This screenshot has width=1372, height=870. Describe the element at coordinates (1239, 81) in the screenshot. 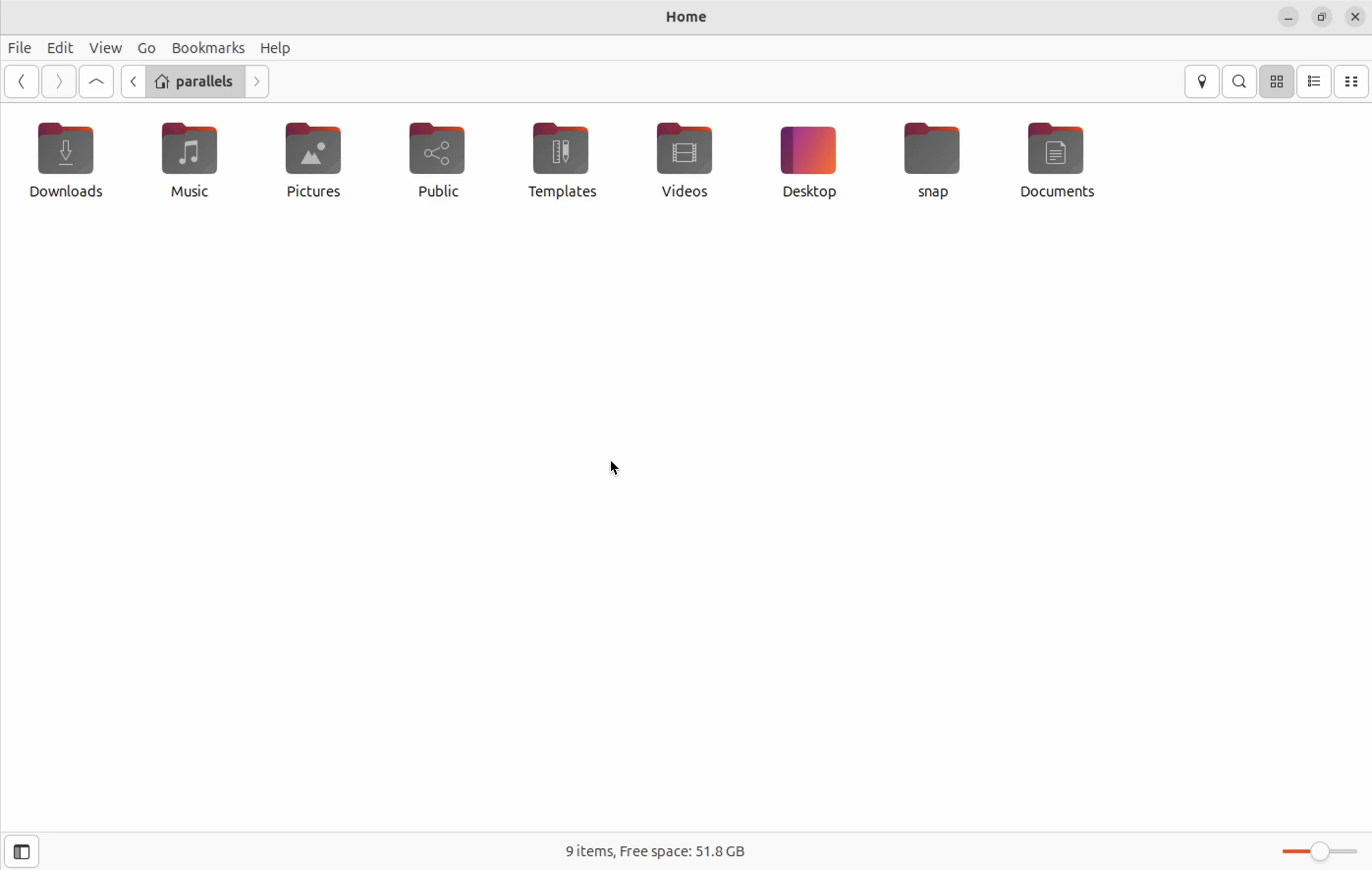

I see `search` at that location.